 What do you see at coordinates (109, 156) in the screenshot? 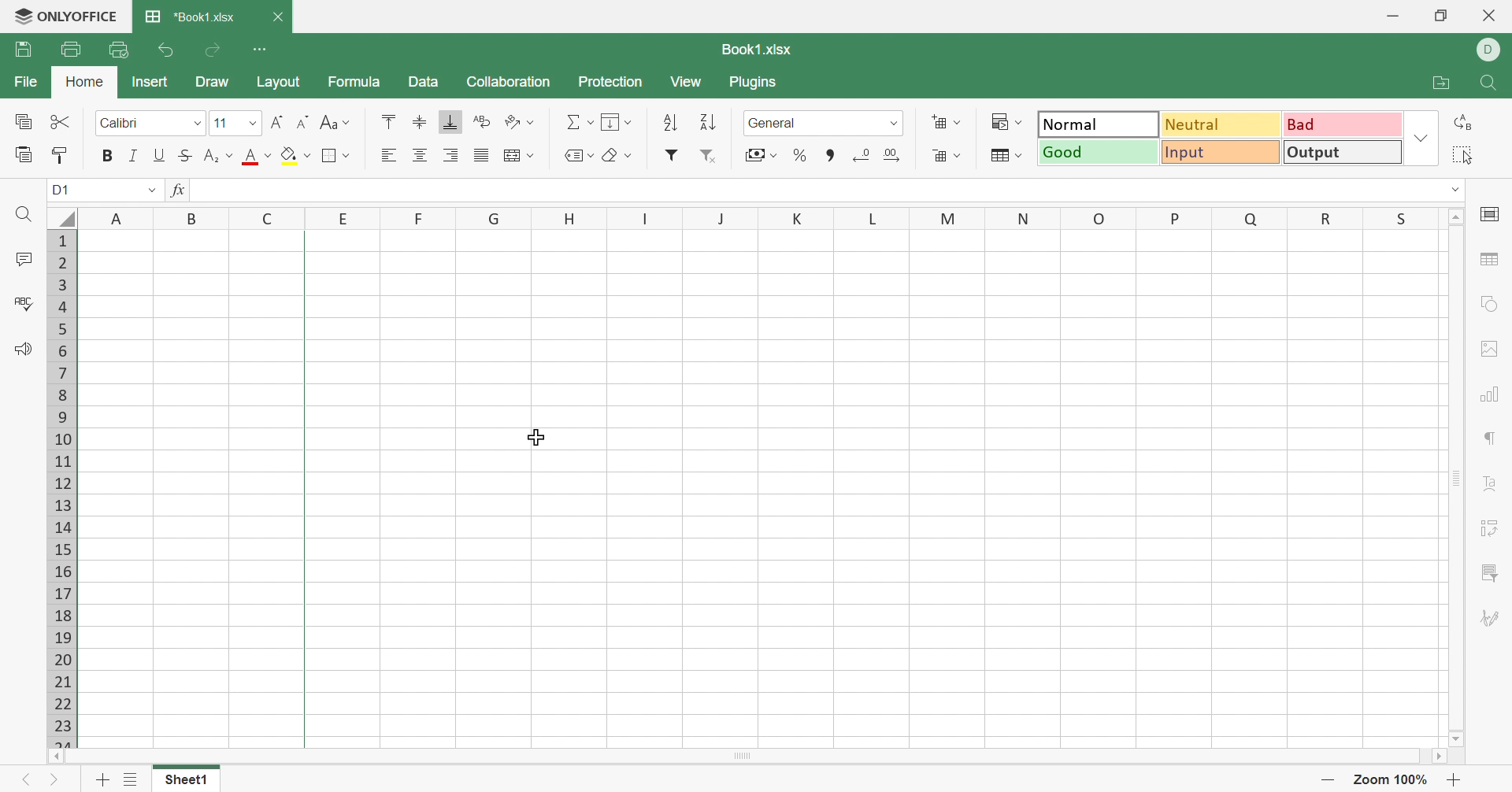
I see `Bold` at bounding box center [109, 156].